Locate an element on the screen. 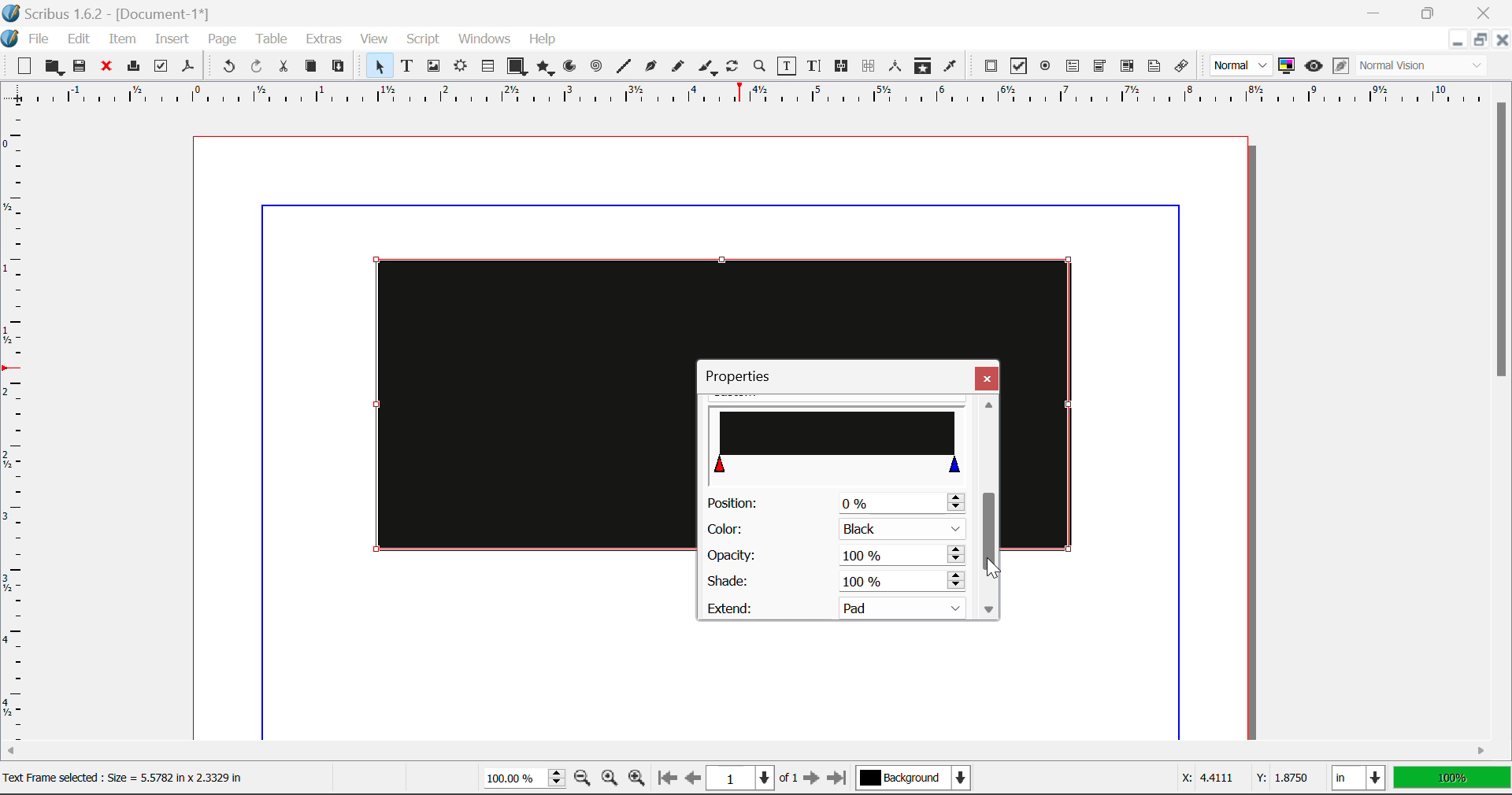  Edit is located at coordinates (79, 39).